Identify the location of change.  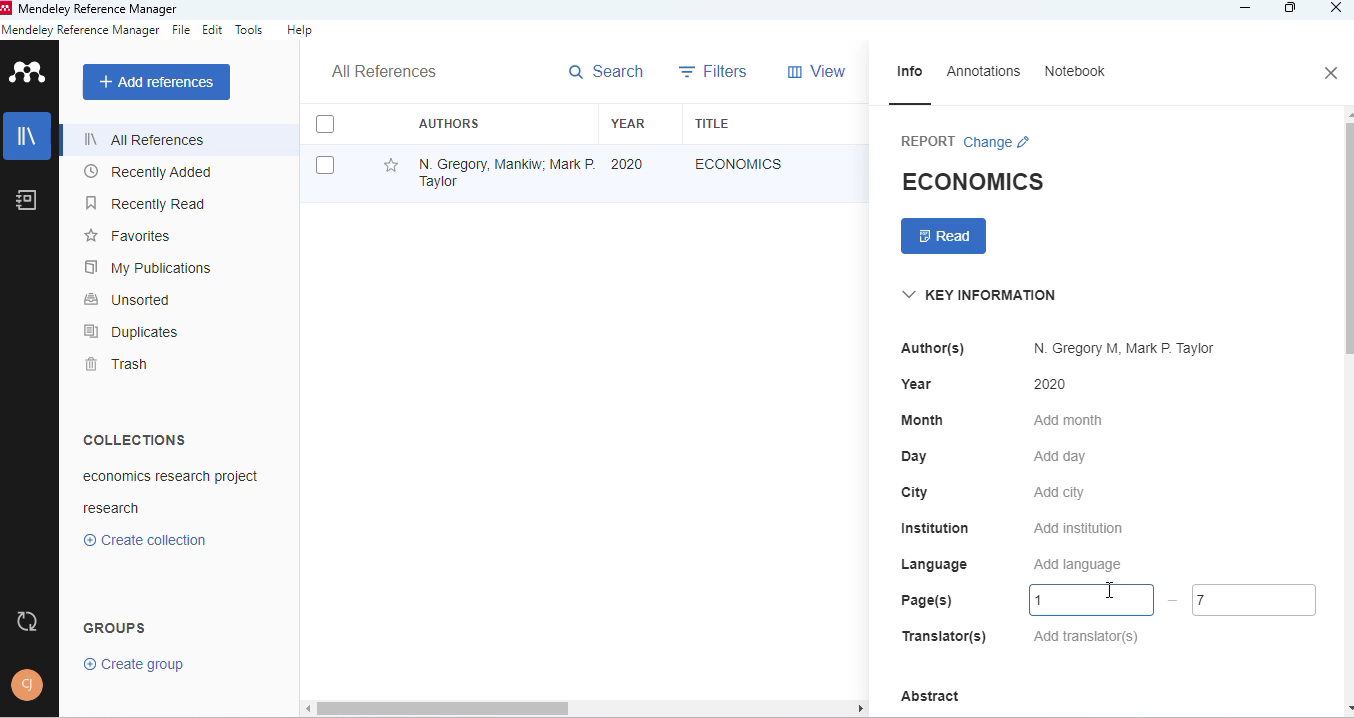
(998, 142).